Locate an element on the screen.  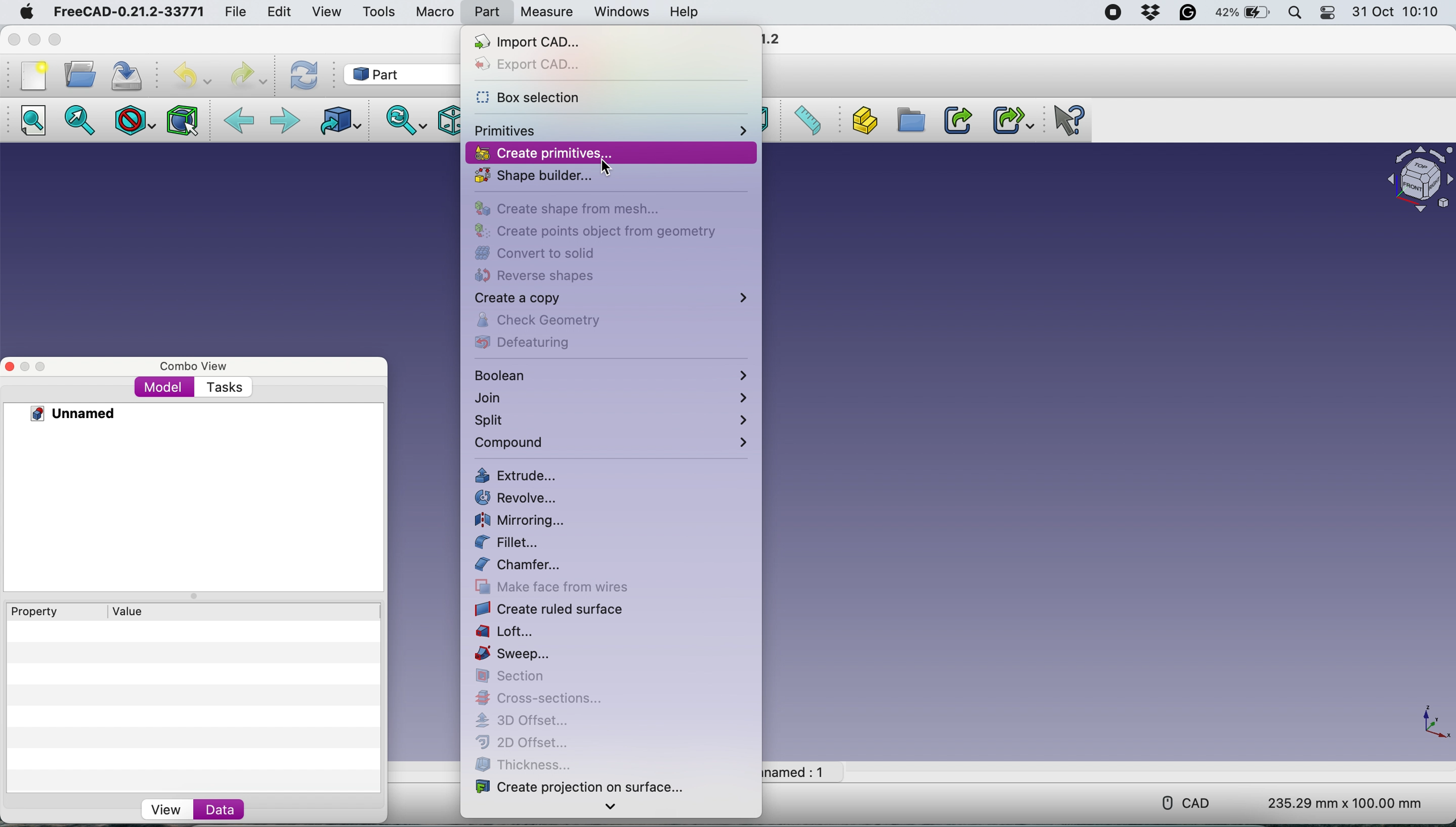
Date and Time is located at coordinates (1398, 11).